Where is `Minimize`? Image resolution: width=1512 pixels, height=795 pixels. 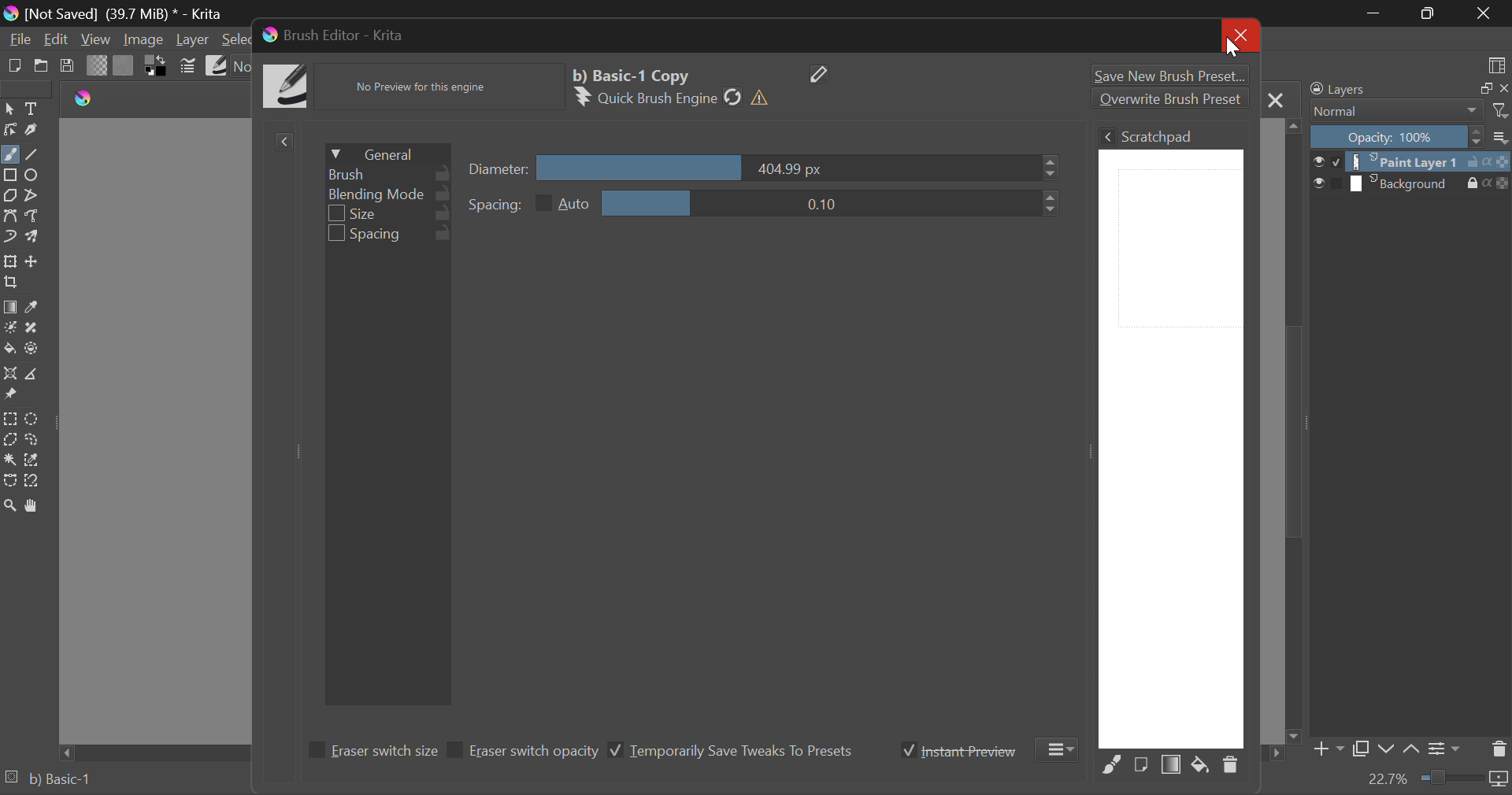 Minimize is located at coordinates (1429, 13).